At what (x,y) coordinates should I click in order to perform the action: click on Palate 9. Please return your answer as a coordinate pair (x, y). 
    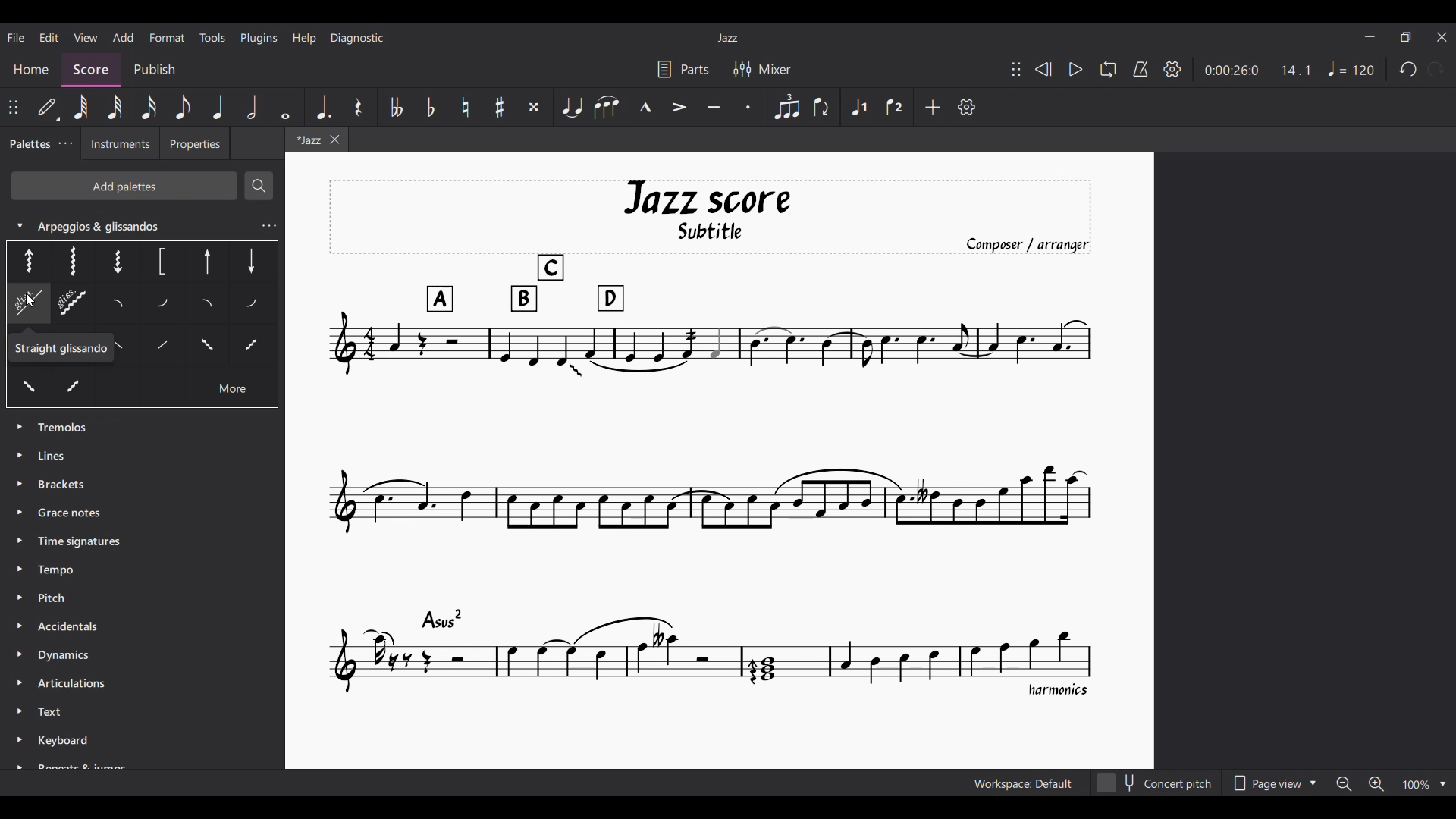
    Looking at the image, I should click on (123, 305).